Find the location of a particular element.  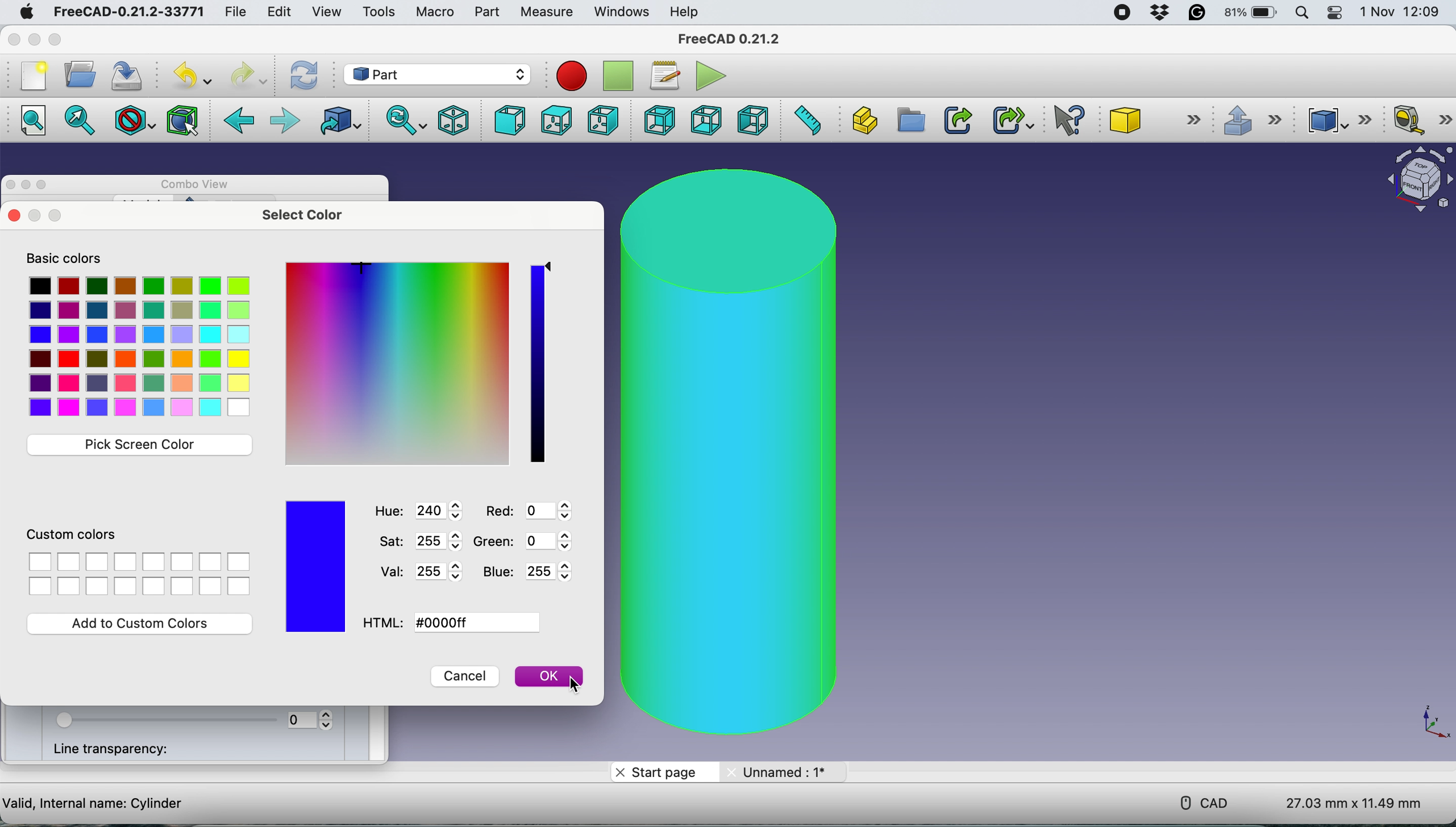

what's this is located at coordinates (1063, 120).